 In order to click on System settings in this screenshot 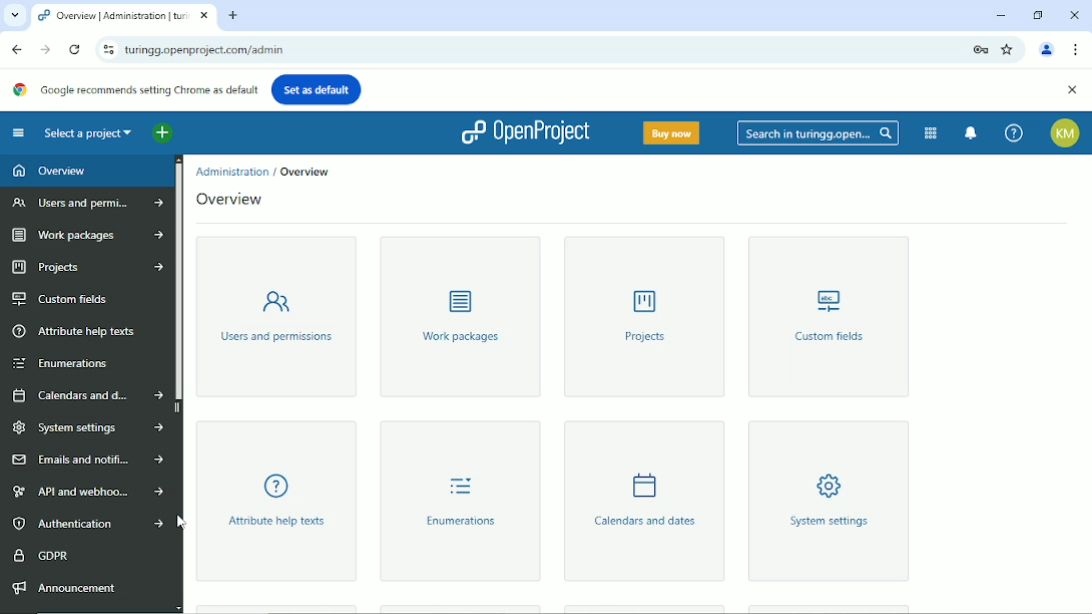, I will do `click(827, 502)`.